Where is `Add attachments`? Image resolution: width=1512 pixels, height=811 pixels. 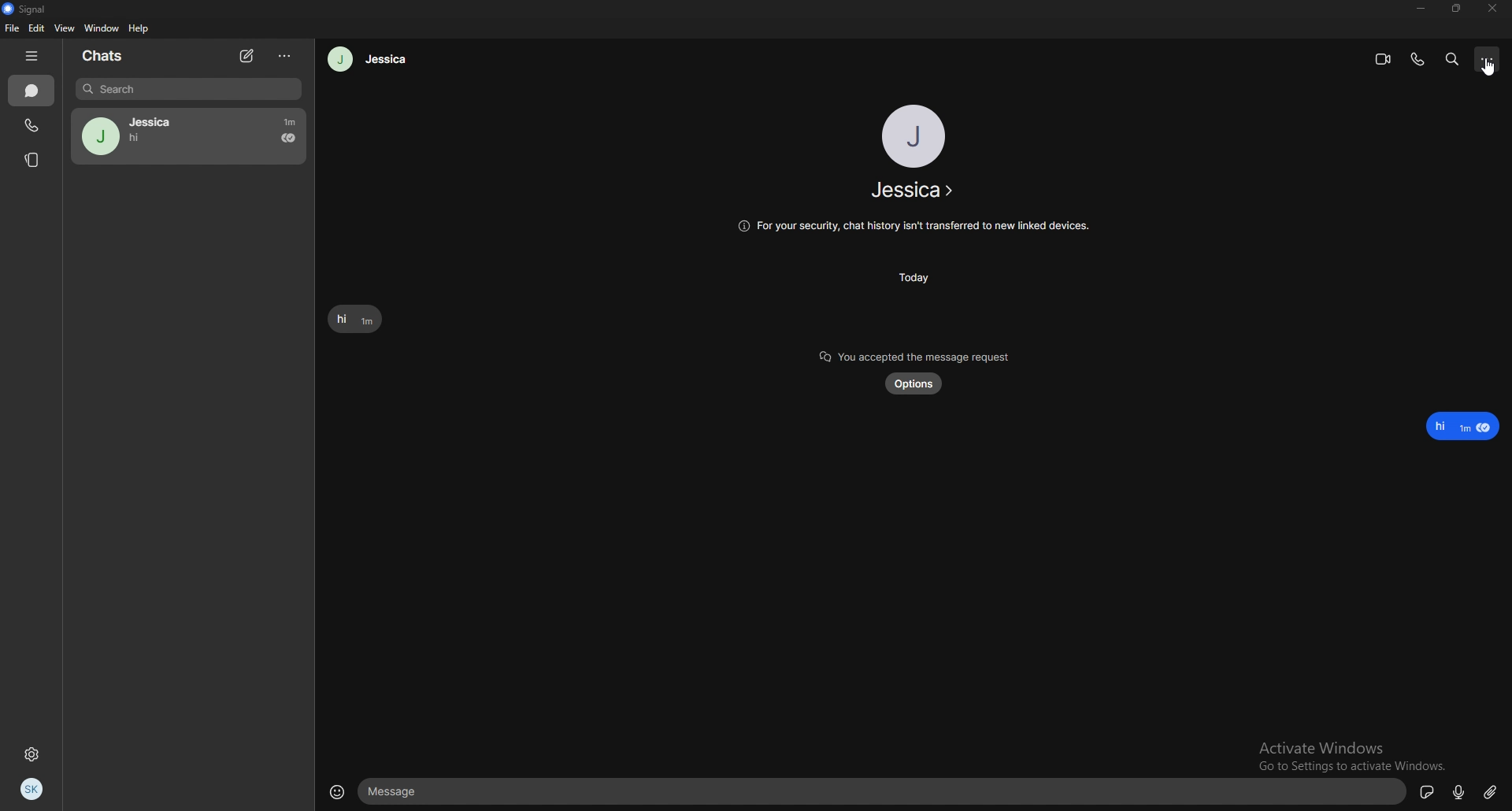
Add attachments is located at coordinates (1491, 791).